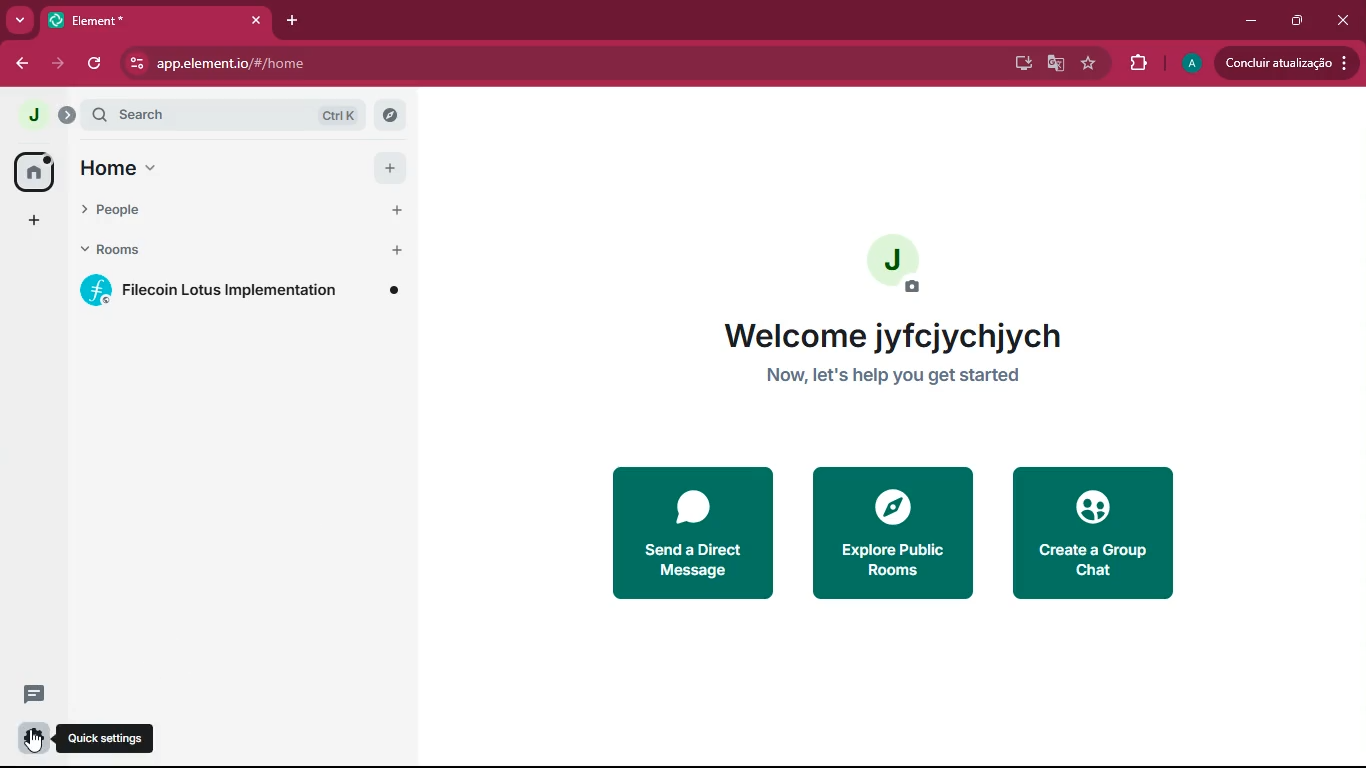 The image size is (1366, 768). What do you see at coordinates (1297, 21) in the screenshot?
I see `maximize` at bounding box center [1297, 21].